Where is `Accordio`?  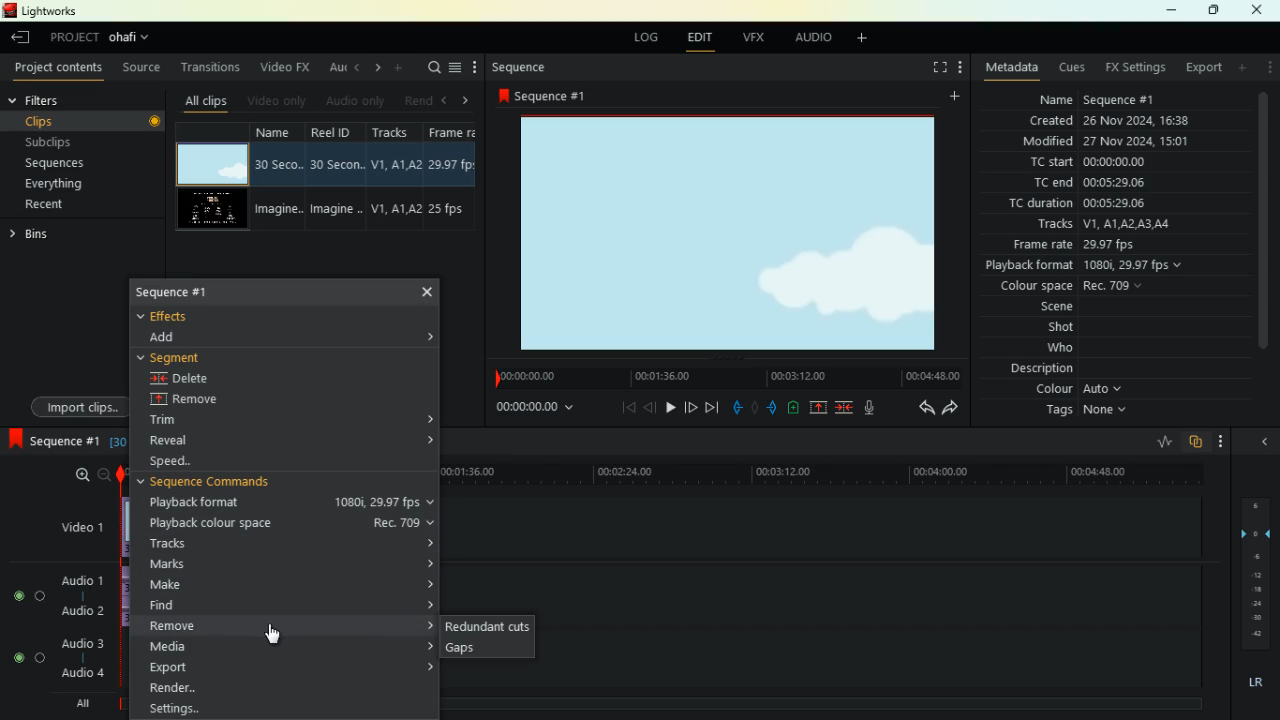
Accordio is located at coordinates (431, 335).